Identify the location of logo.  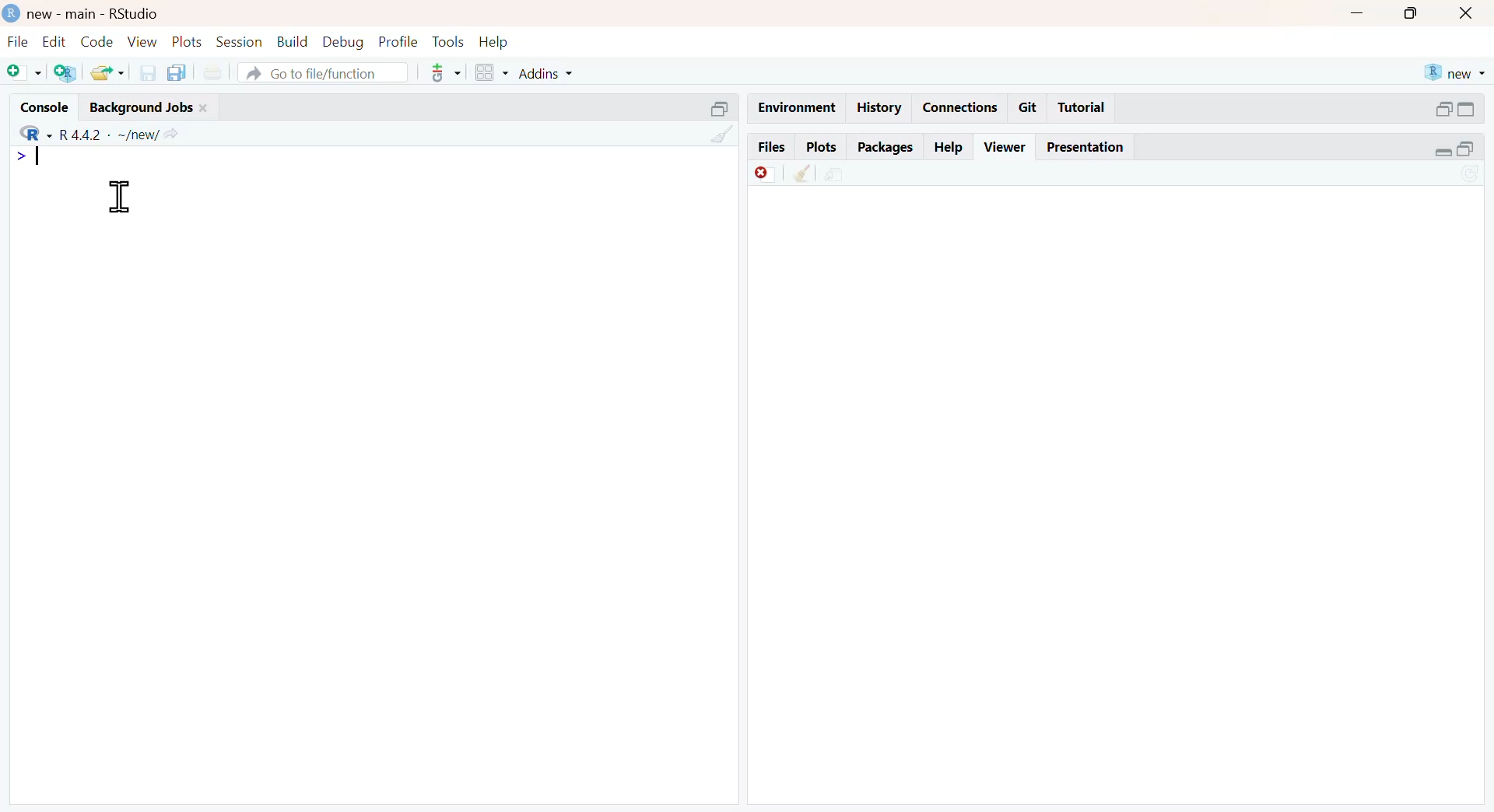
(11, 12).